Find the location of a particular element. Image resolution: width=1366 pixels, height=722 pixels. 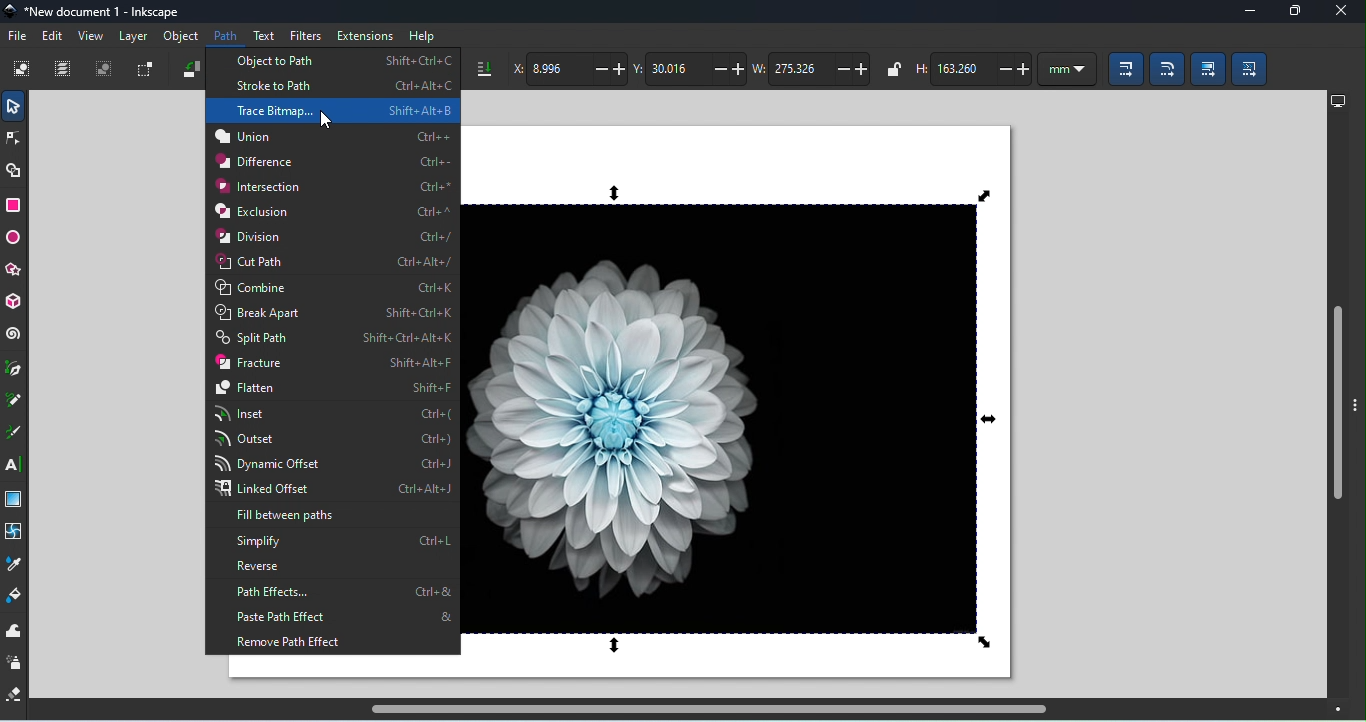

Path is located at coordinates (227, 35).